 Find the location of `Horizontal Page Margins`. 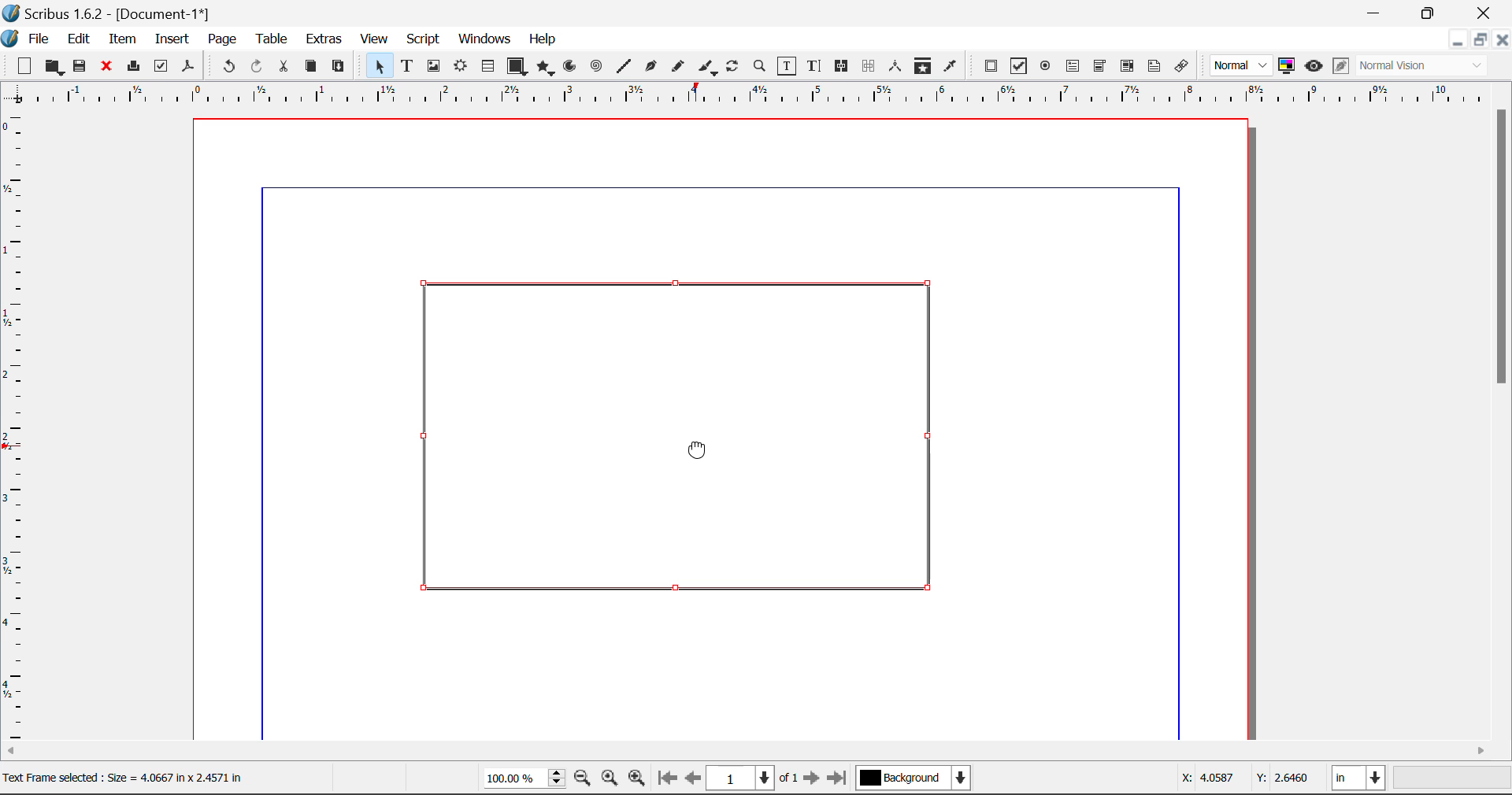

Horizontal Page Margins is located at coordinates (17, 427).